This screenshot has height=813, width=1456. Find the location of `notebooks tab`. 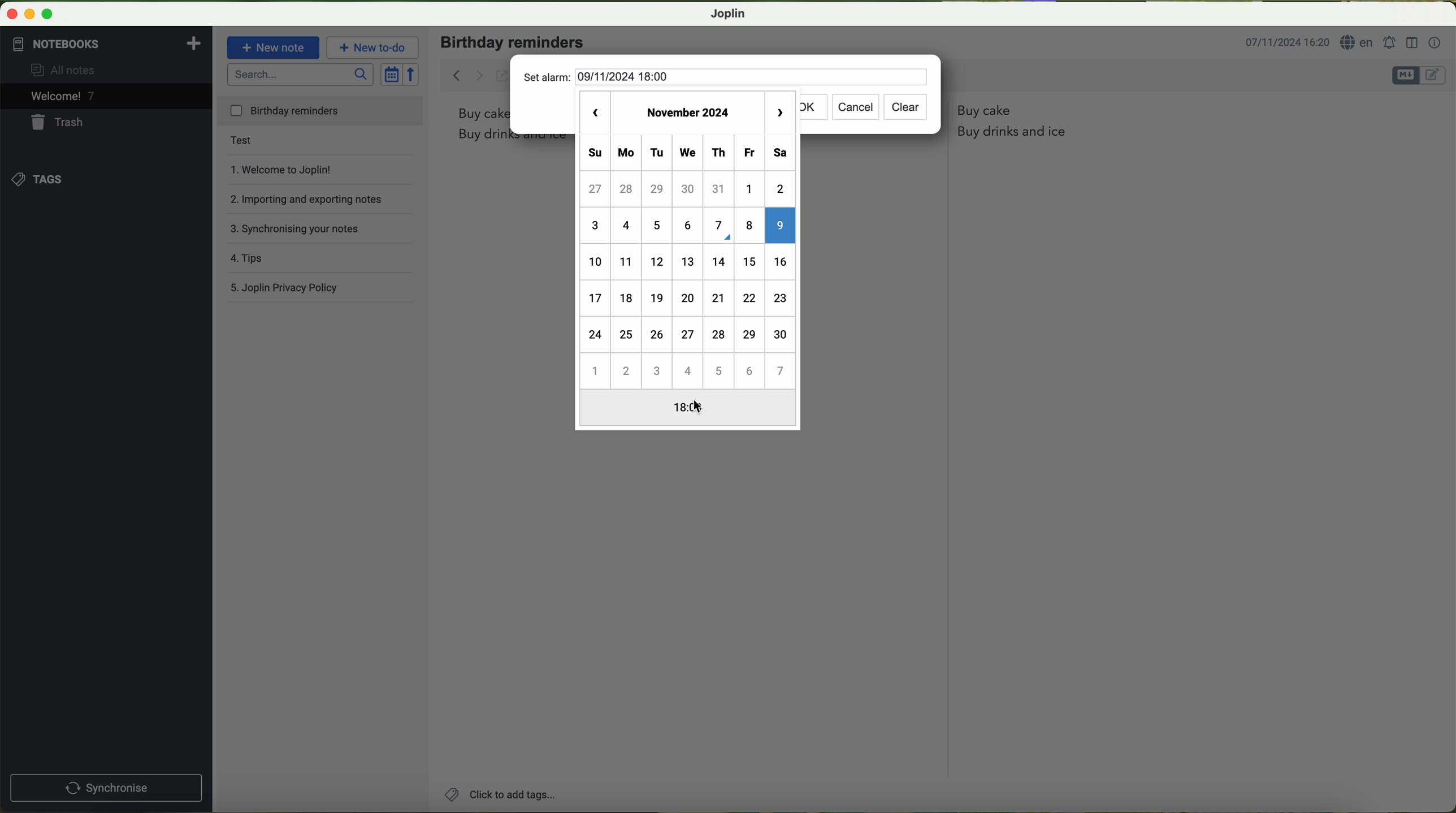

notebooks tab is located at coordinates (106, 44).